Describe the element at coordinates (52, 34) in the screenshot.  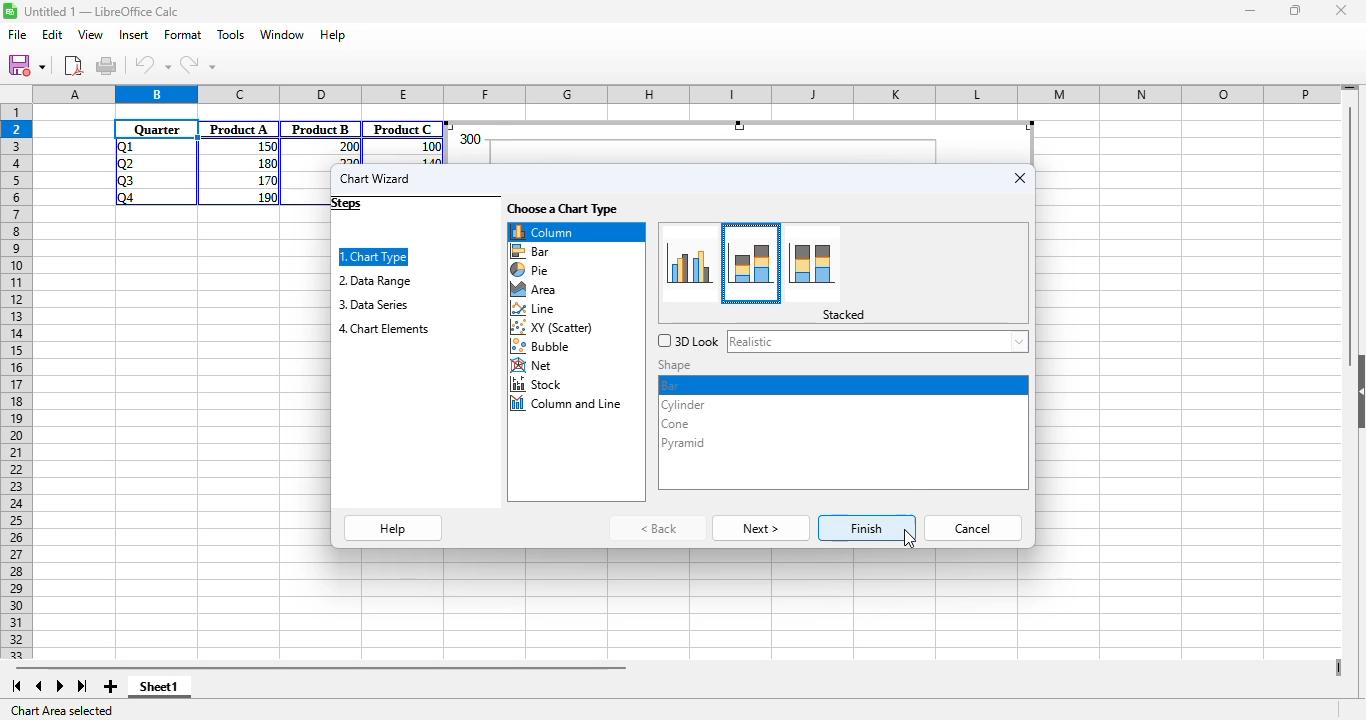
I see `edit` at that location.